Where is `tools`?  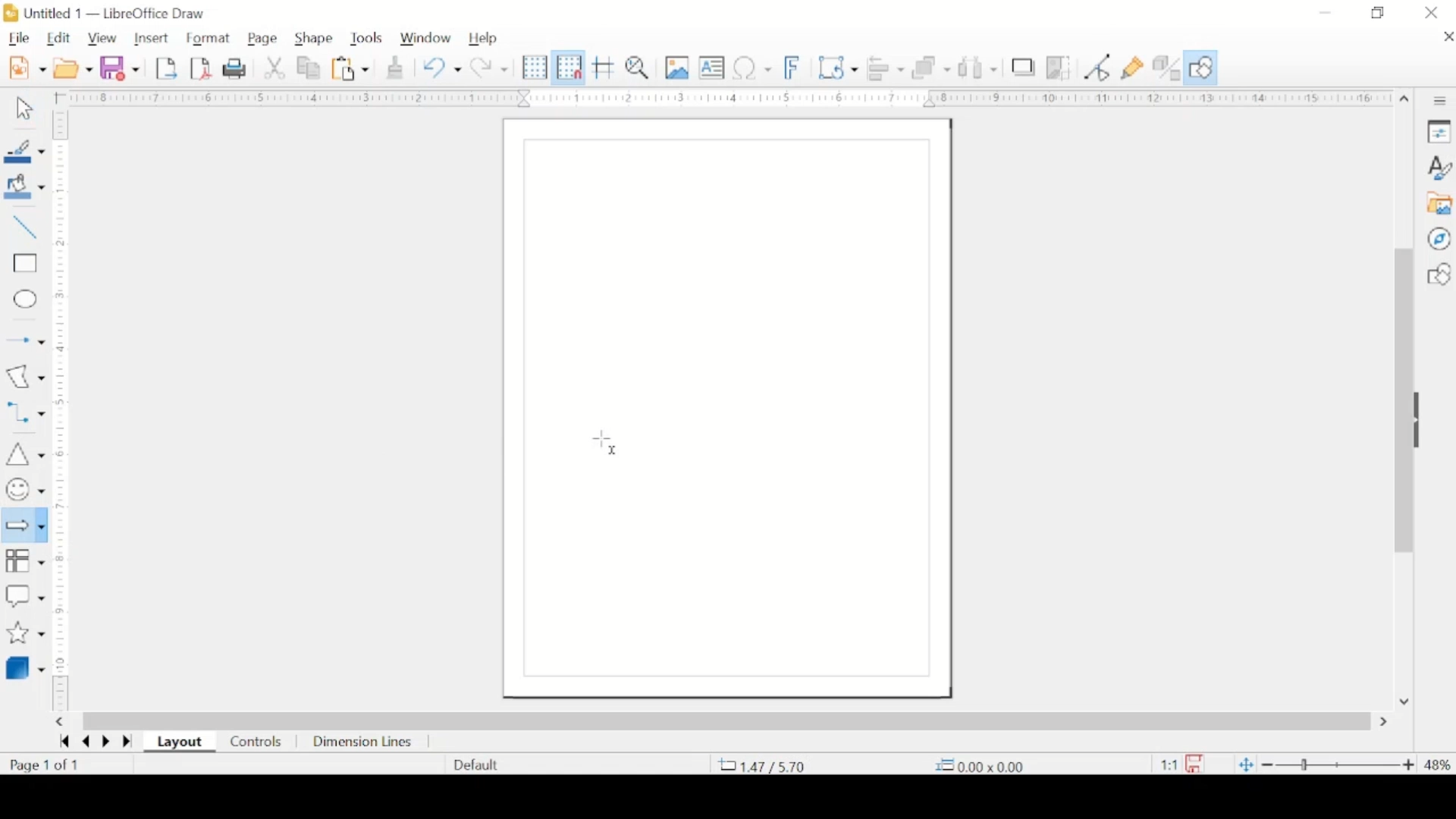
tools is located at coordinates (368, 37).